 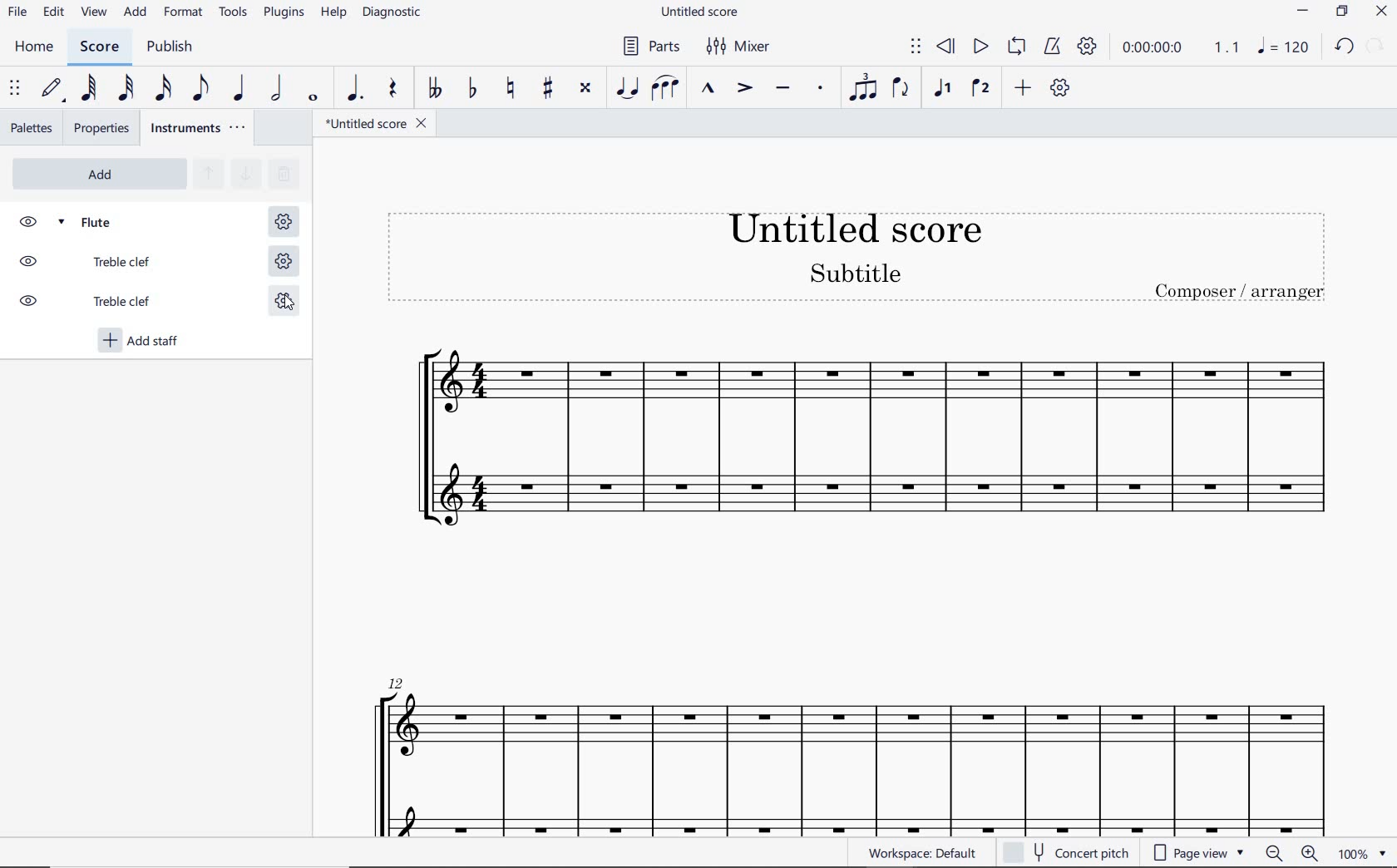 I want to click on cursor, so click(x=289, y=306).